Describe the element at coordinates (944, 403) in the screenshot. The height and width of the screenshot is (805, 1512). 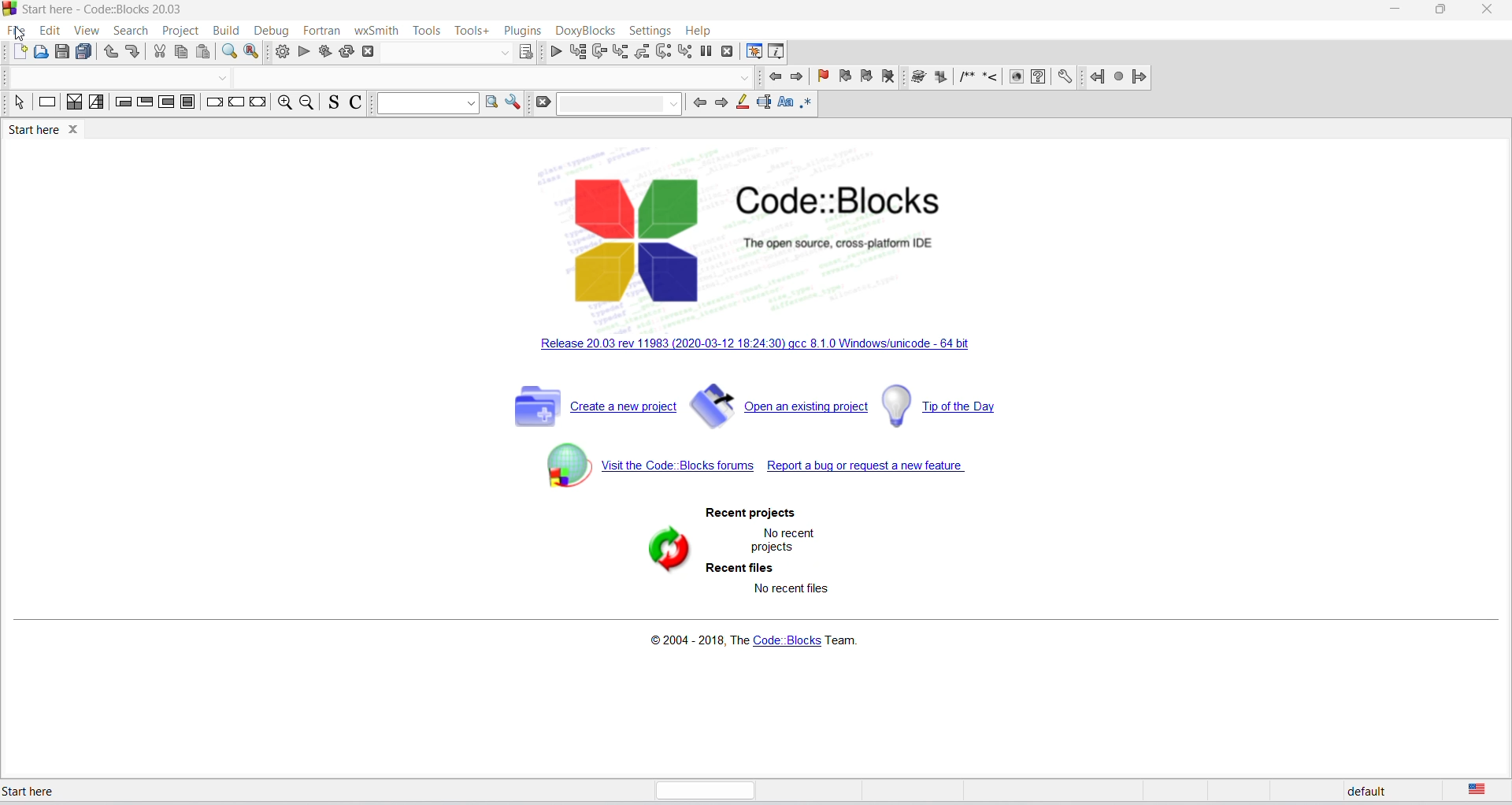
I see `tip of the day` at that location.